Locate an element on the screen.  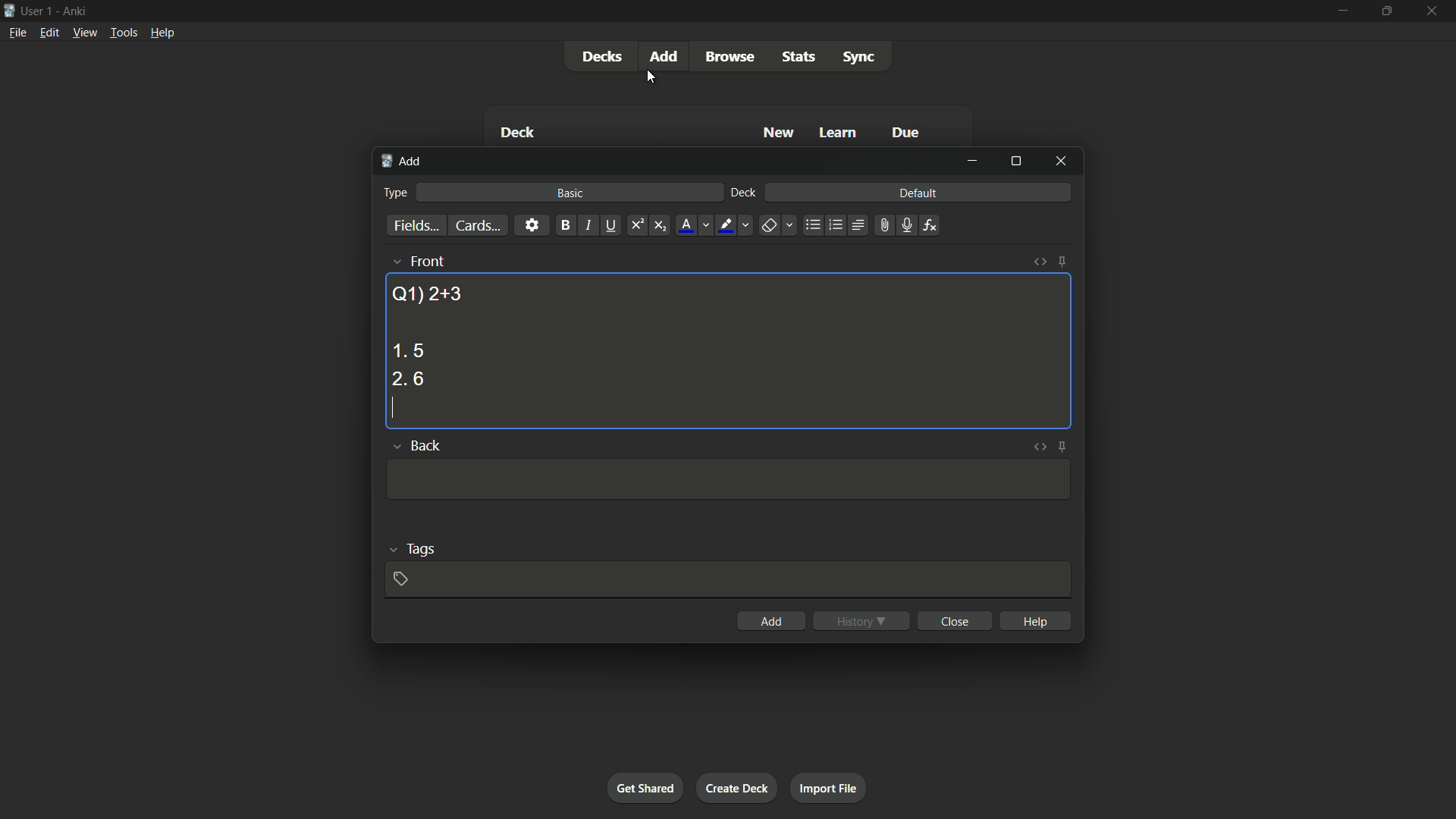
attach file is located at coordinates (883, 225).